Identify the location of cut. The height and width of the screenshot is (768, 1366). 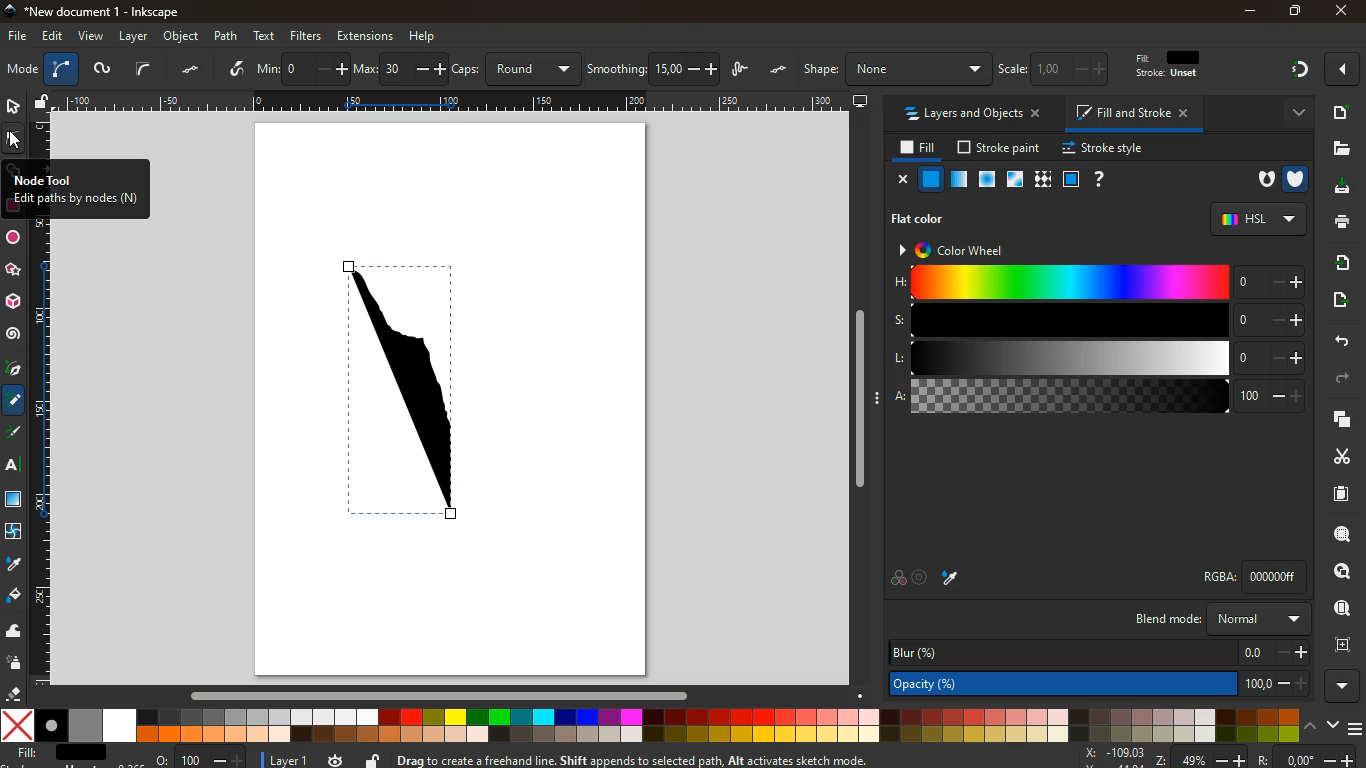
(1334, 456).